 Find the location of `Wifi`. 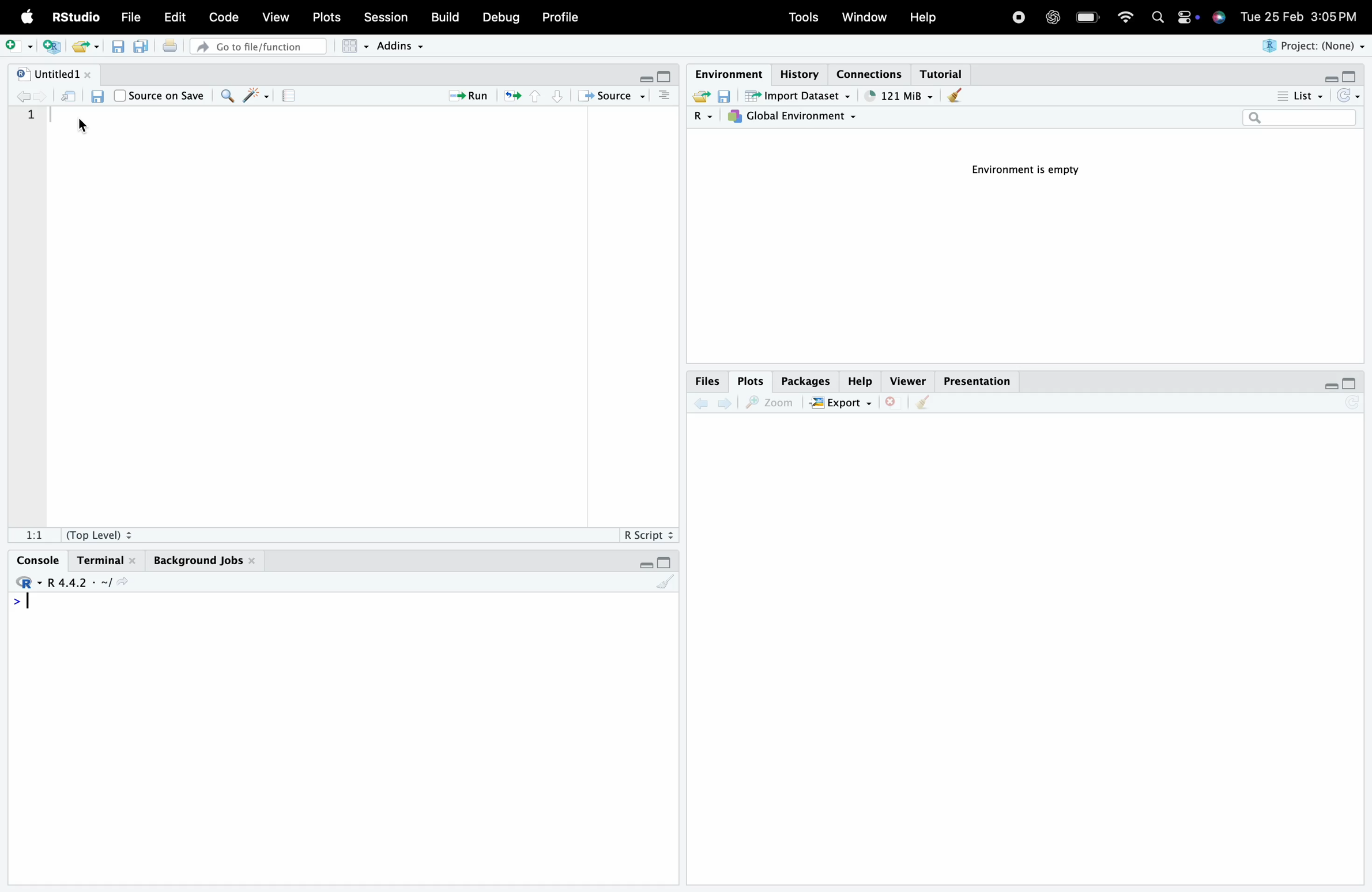

Wifi is located at coordinates (1124, 16).